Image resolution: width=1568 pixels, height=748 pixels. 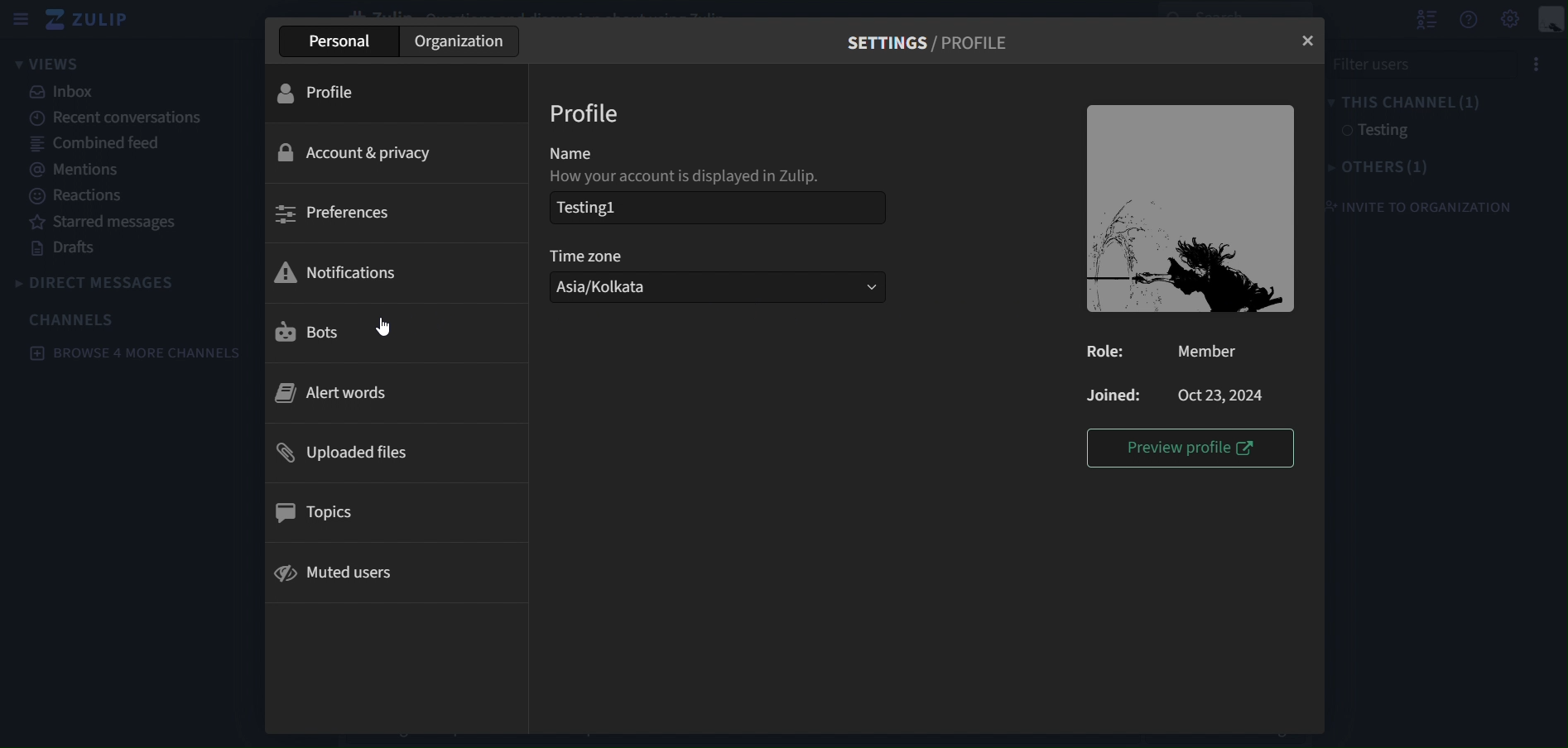 I want to click on this channel, so click(x=1412, y=102).